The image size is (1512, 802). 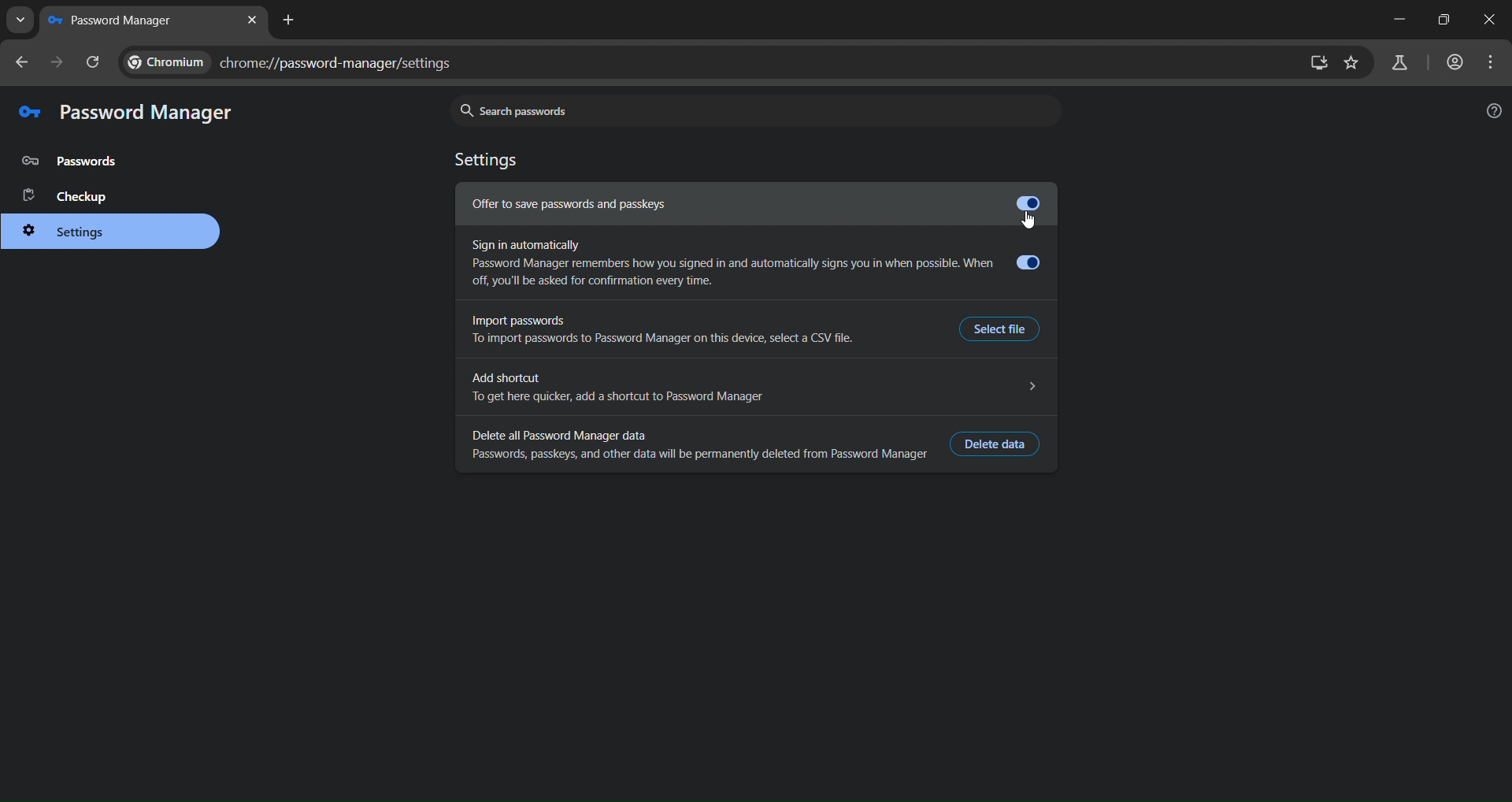 What do you see at coordinates (287, 24) in the screenshot?
I see `new tab` at bounding box center [287, 24].